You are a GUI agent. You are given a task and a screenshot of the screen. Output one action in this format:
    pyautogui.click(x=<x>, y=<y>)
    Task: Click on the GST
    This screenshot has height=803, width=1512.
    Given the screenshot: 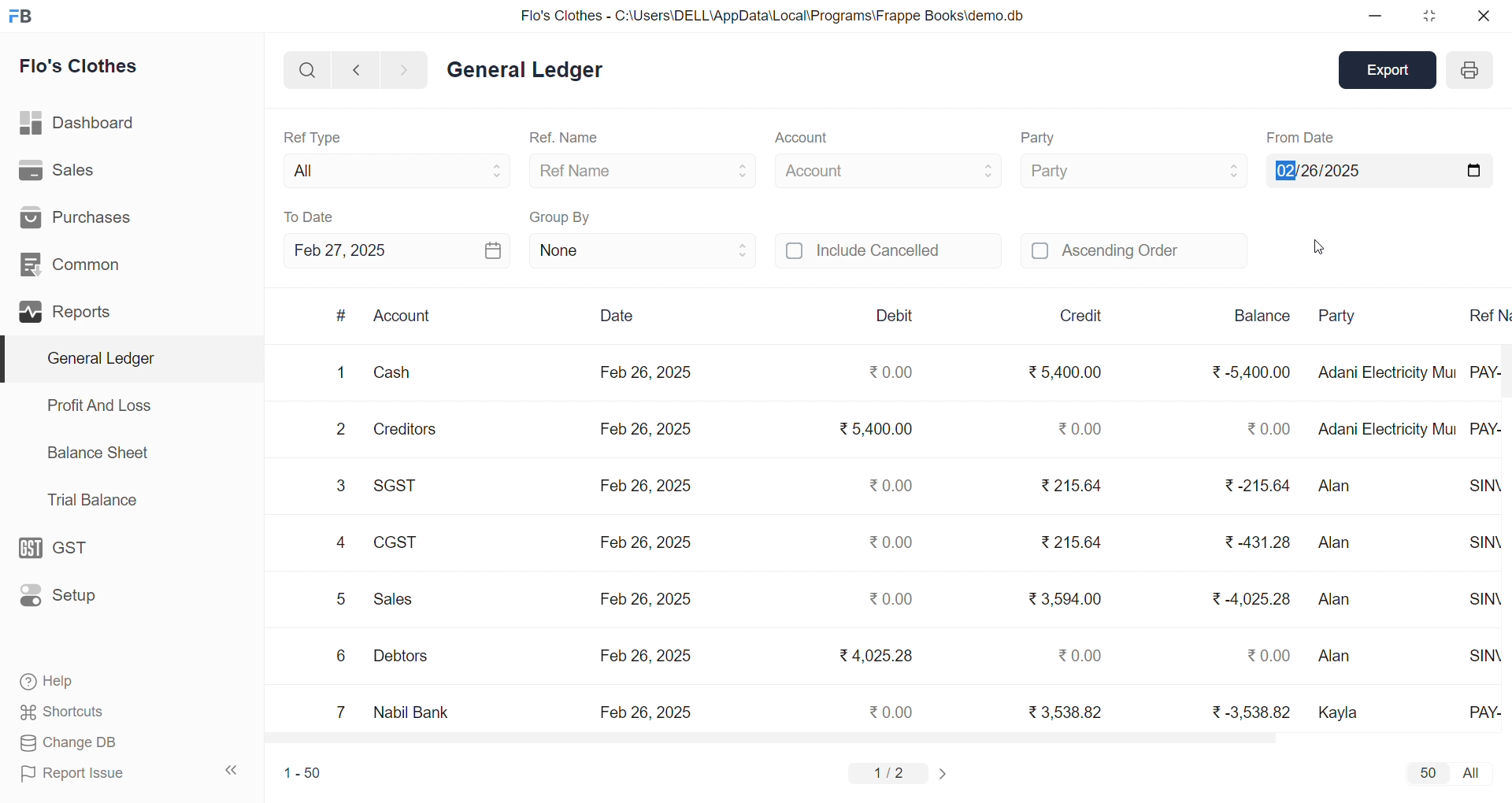 What is the action you would take?
    pyautogui.click(x=61, y=544)
    